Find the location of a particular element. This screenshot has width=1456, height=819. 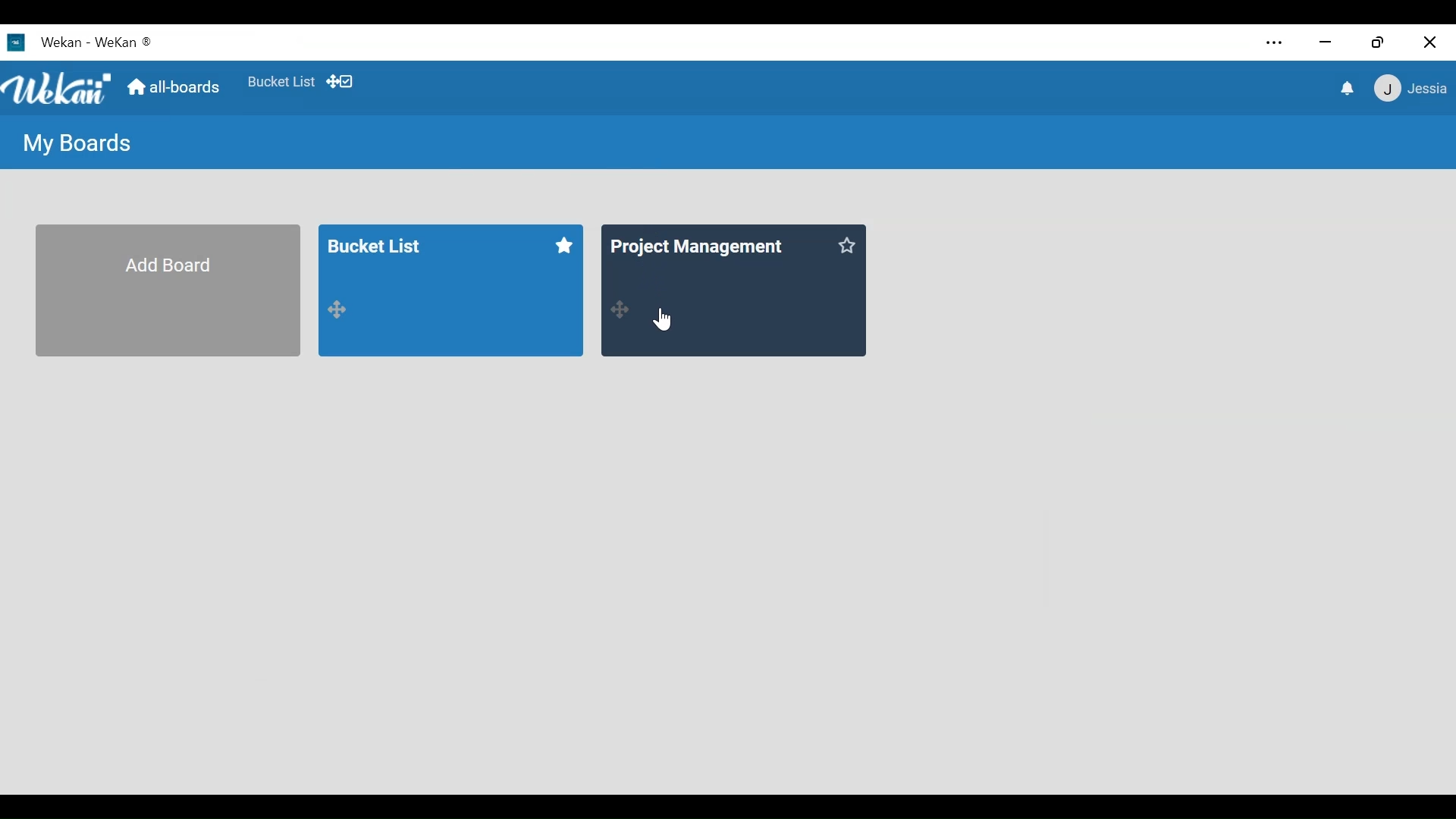

Restore is located at coordinates (1377, 41).